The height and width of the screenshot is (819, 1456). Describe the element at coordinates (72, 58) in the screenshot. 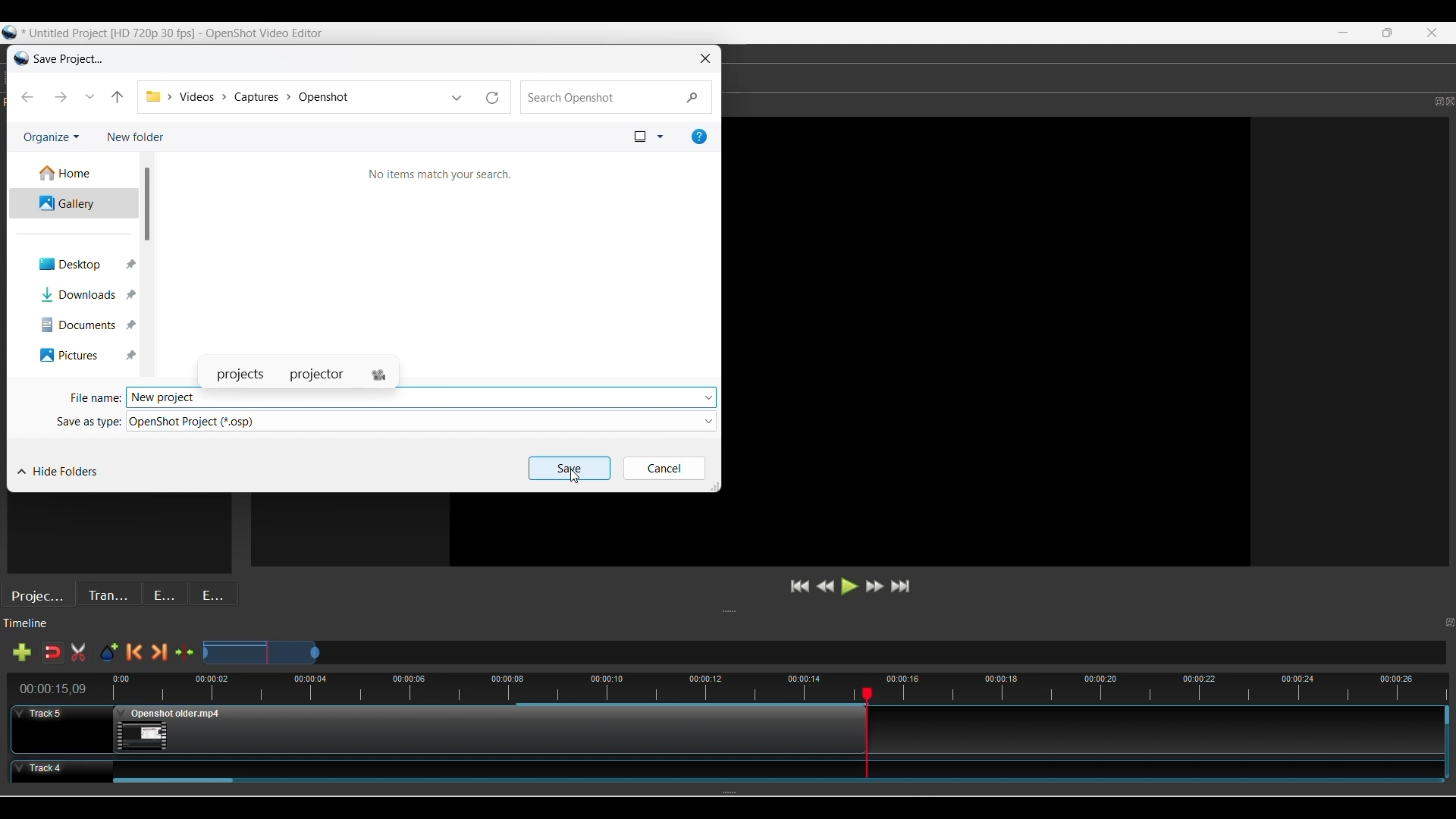

I see `Window name` at that location.